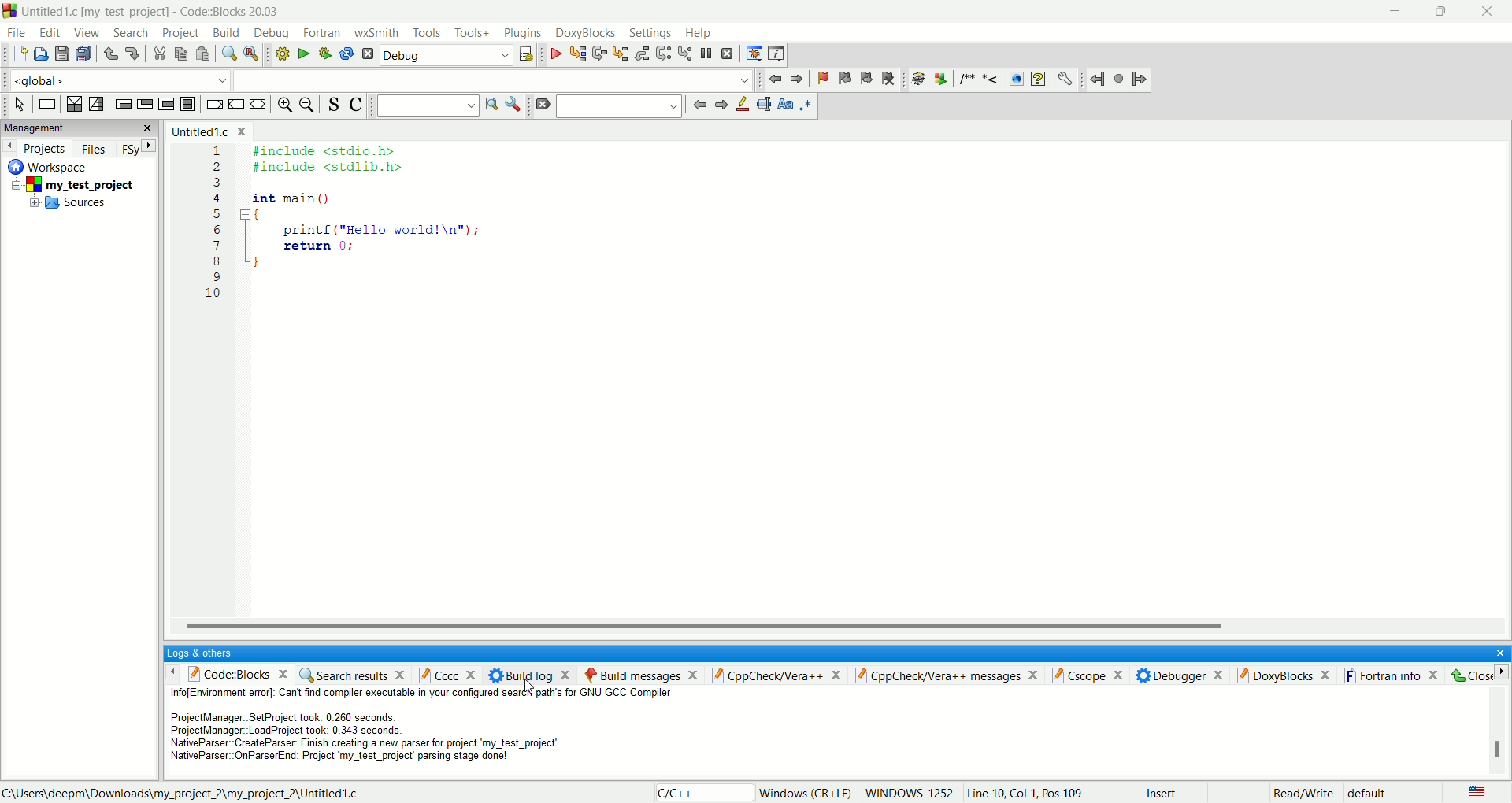  What do you see at coordinates (1396, 675) in the screenshot?
I see `fortran info` at bounding box center [1396, 675].